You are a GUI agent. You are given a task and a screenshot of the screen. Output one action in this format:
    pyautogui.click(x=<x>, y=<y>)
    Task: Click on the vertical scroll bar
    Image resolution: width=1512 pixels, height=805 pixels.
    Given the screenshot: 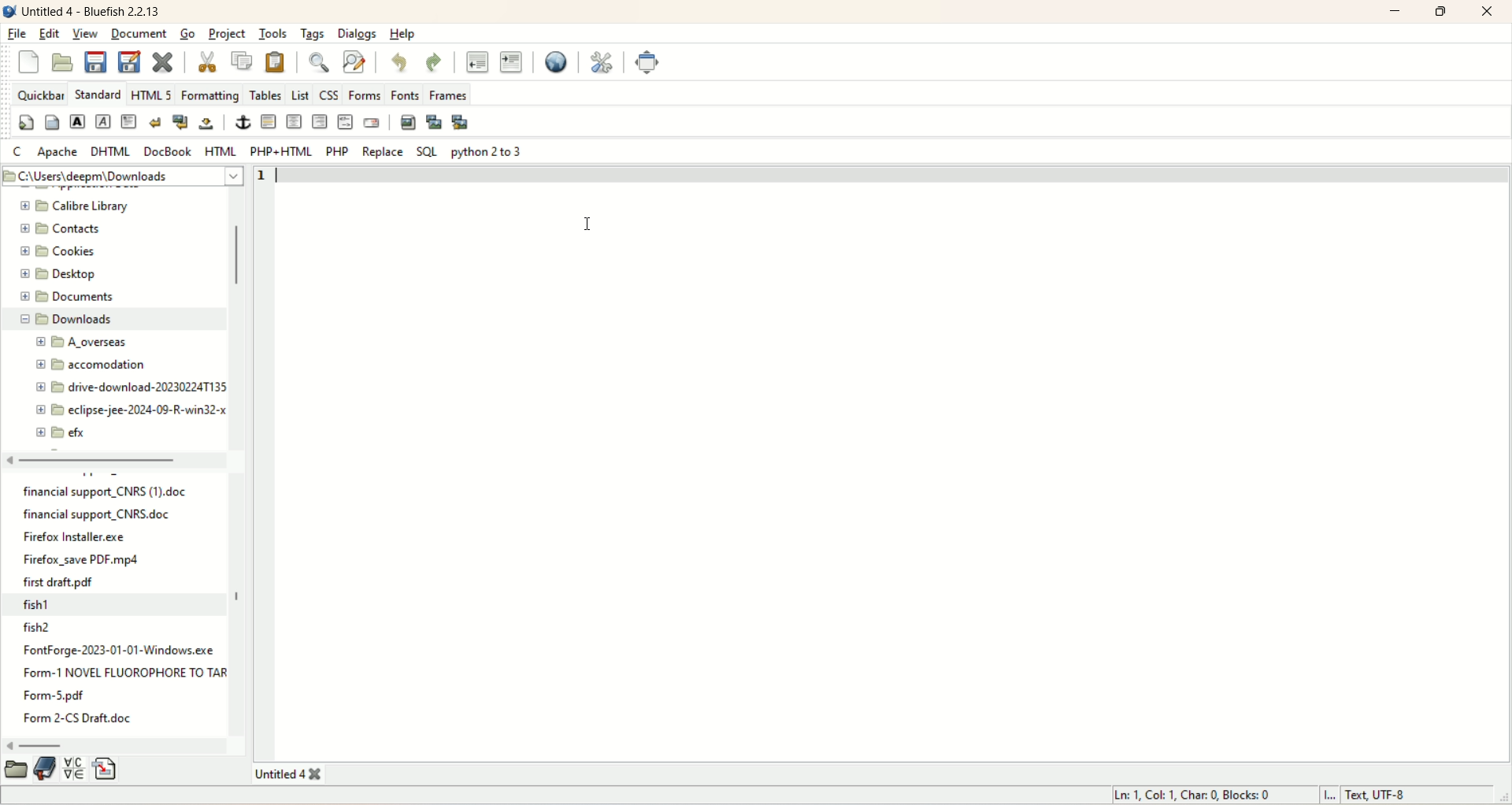 What is the action you would take?
    pyautogui.click(x=232, y=320)
    